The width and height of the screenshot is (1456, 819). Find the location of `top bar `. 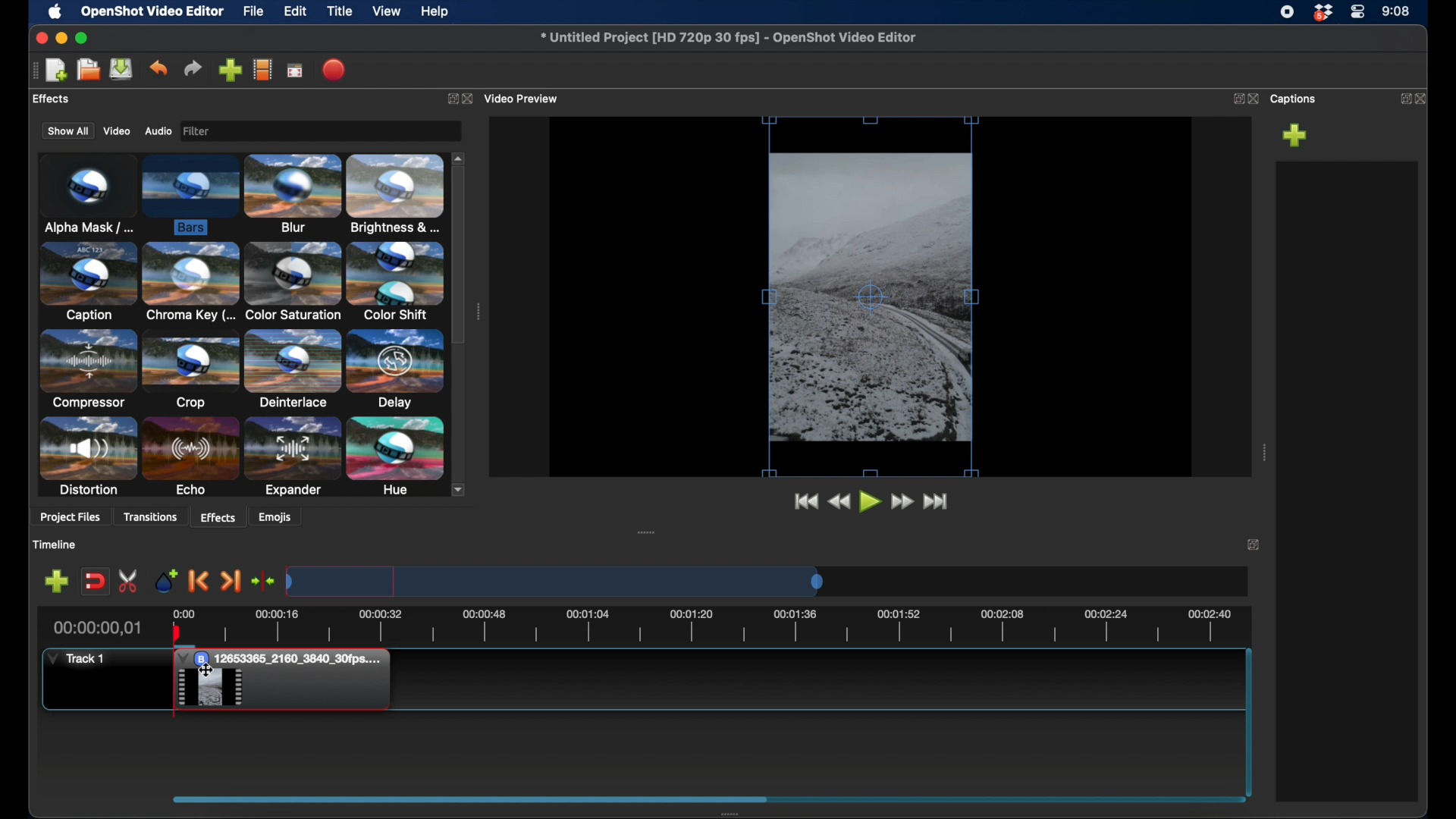

top bar  is located at coordinates (868, 135).